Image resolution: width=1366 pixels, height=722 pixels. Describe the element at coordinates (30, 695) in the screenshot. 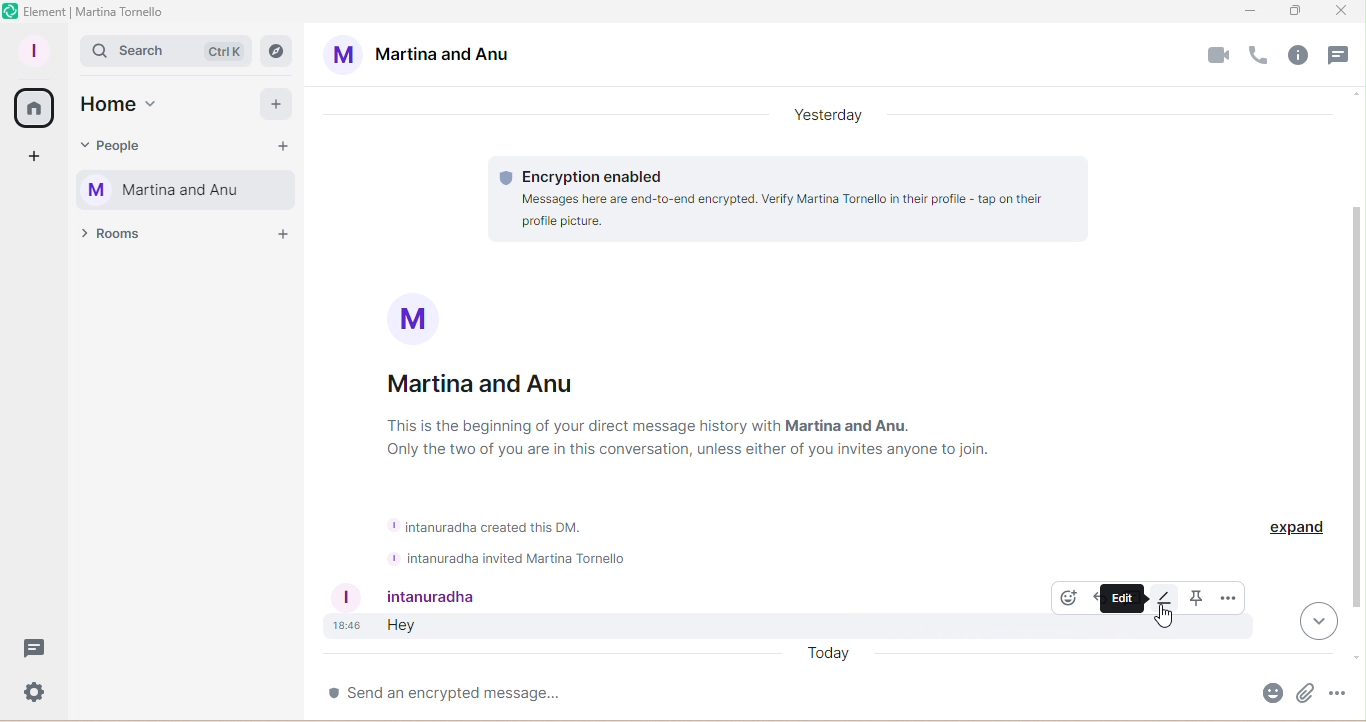

I see `Quick settings` at that location.